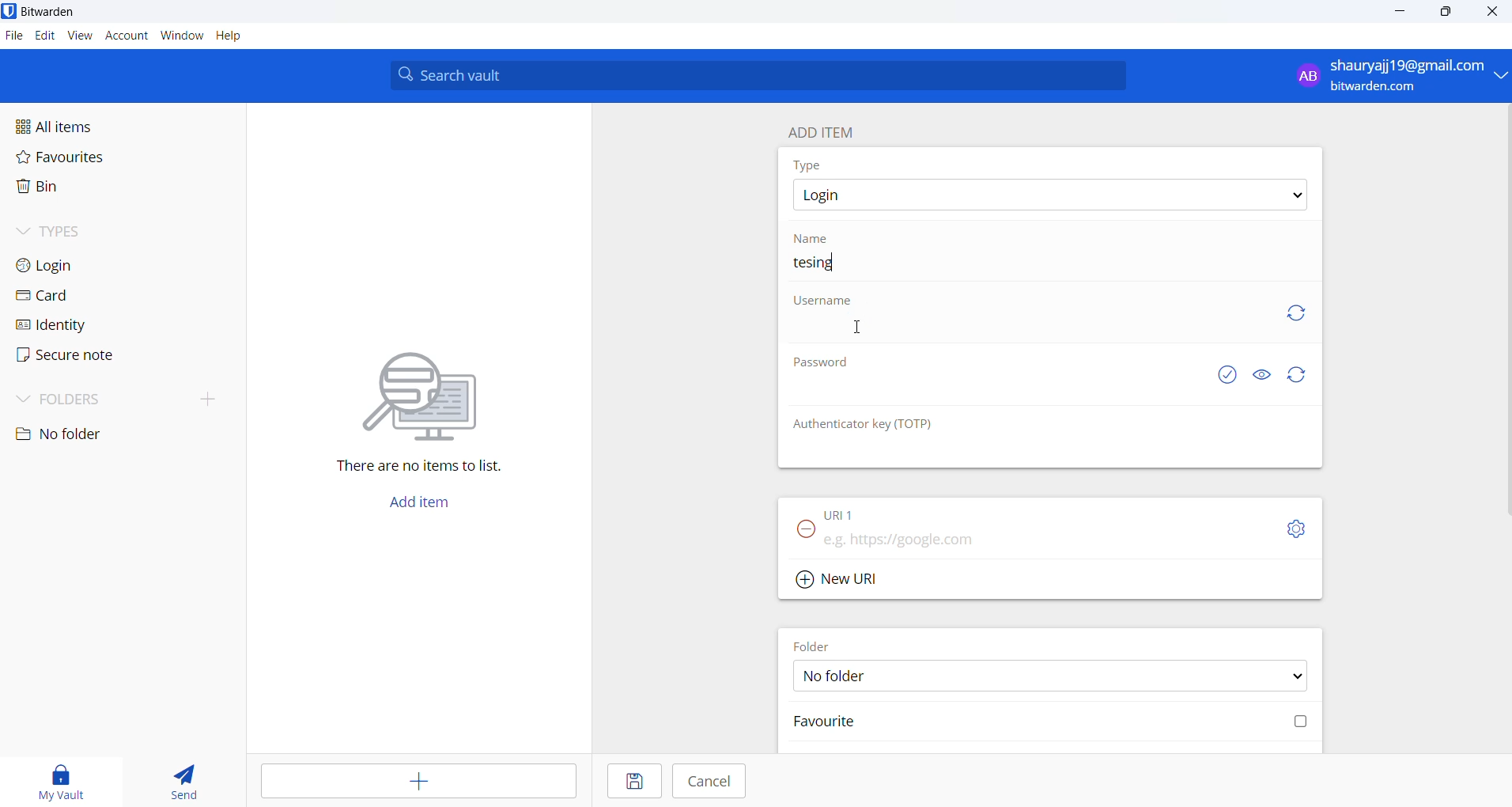  What do you see at coordinates (85, 358) in the screenshot?
I see `secure note` at bounding box center [85, 358].